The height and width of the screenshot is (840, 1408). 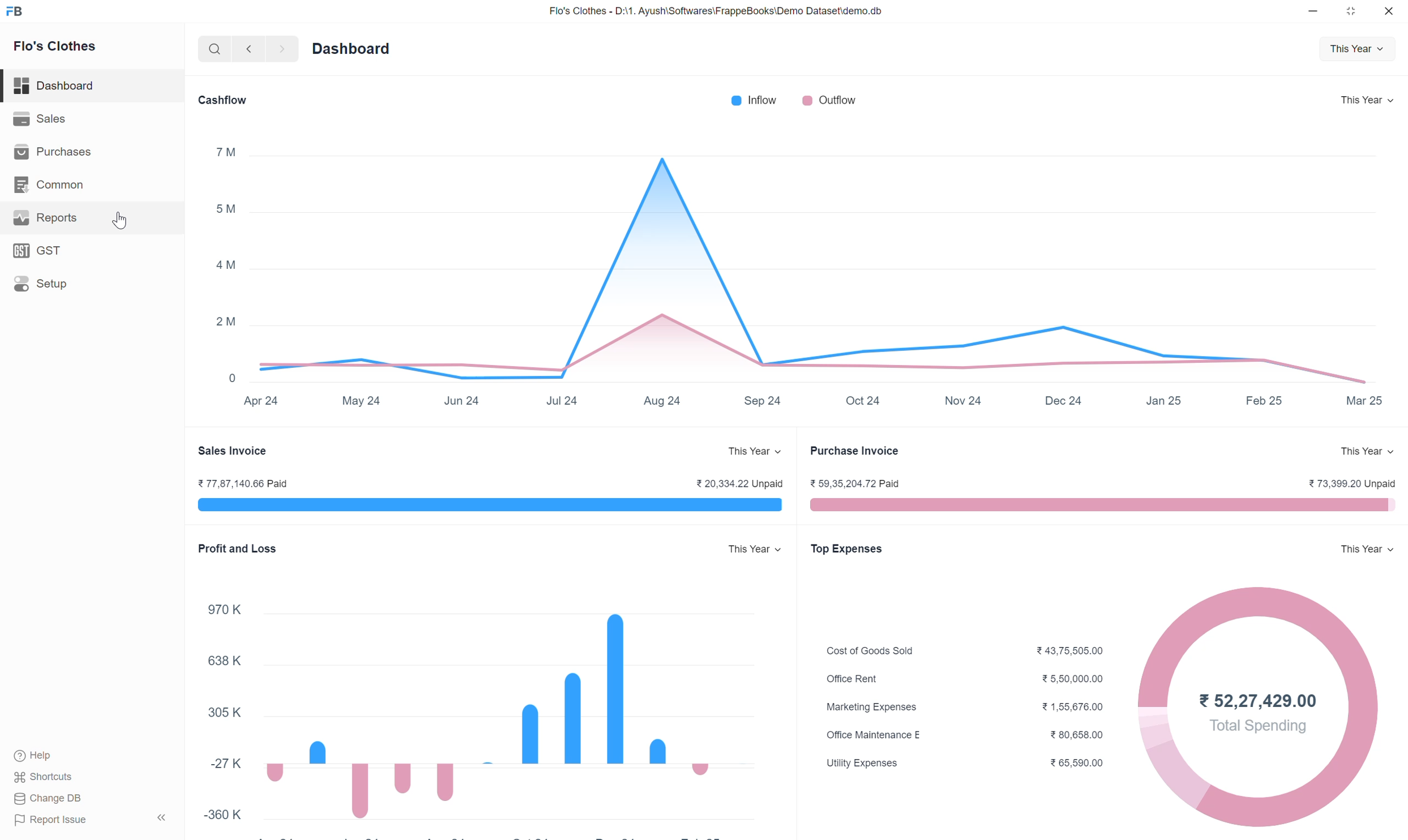 I want to click on Jan 25, so click(x=1161, y=399).